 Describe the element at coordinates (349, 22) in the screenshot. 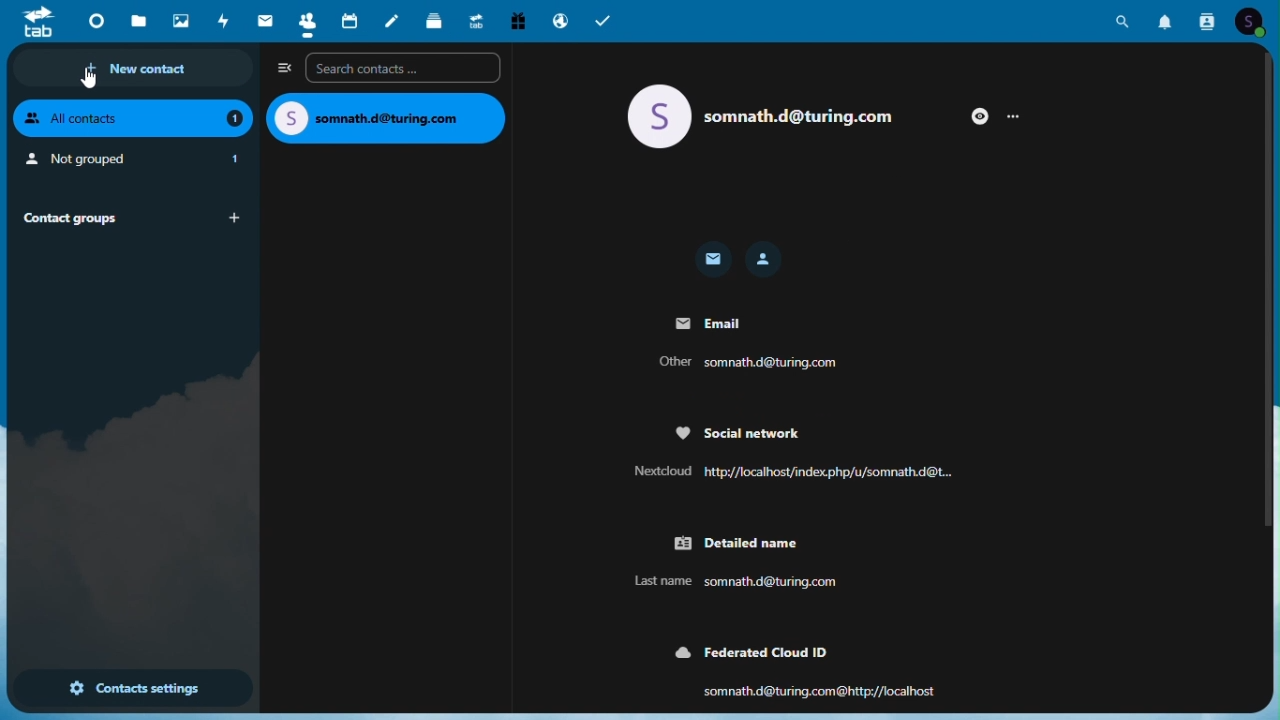

I see `Calendar` at that location.